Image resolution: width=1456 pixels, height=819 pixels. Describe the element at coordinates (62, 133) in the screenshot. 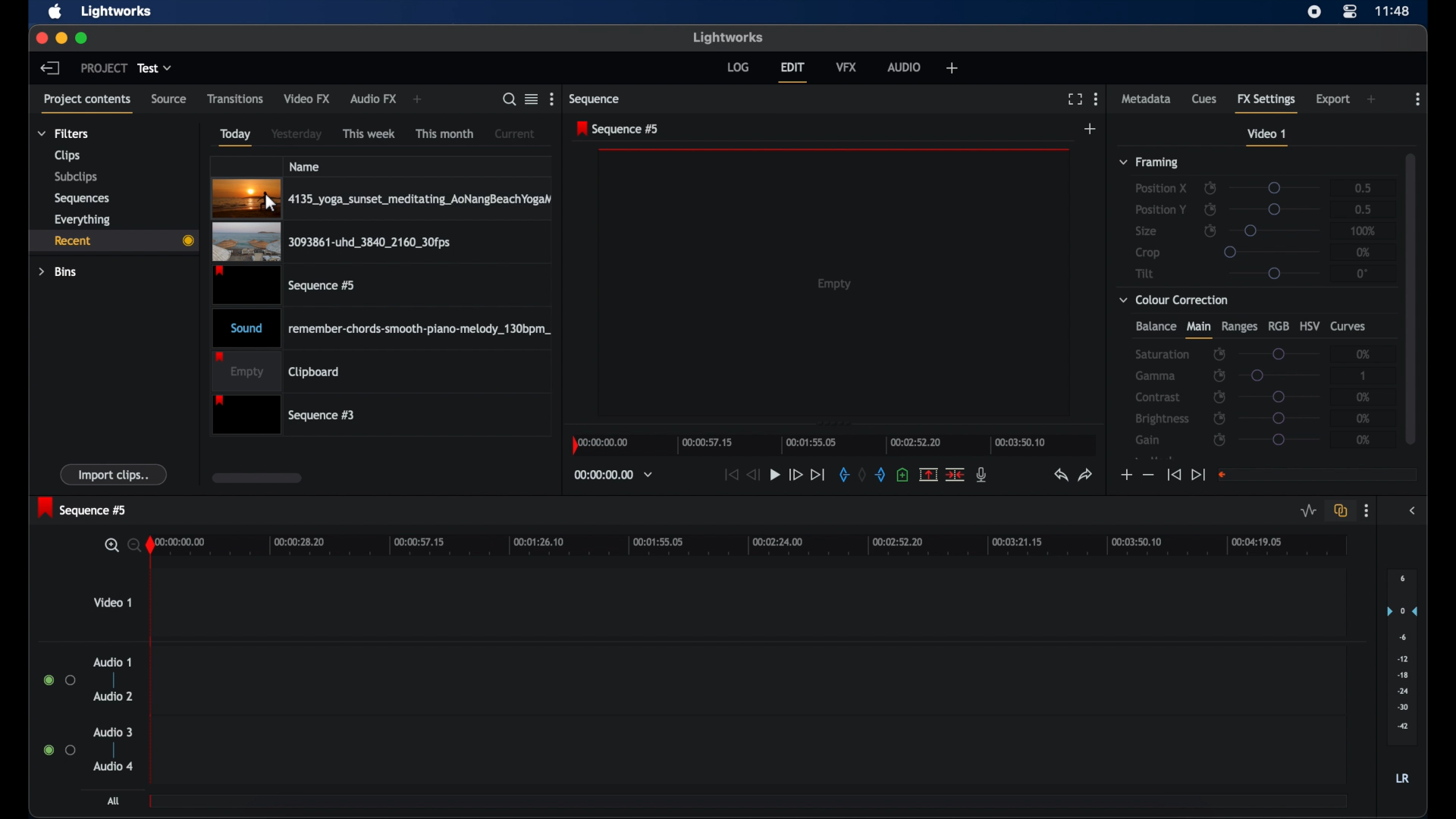

I see `filters` at that location.